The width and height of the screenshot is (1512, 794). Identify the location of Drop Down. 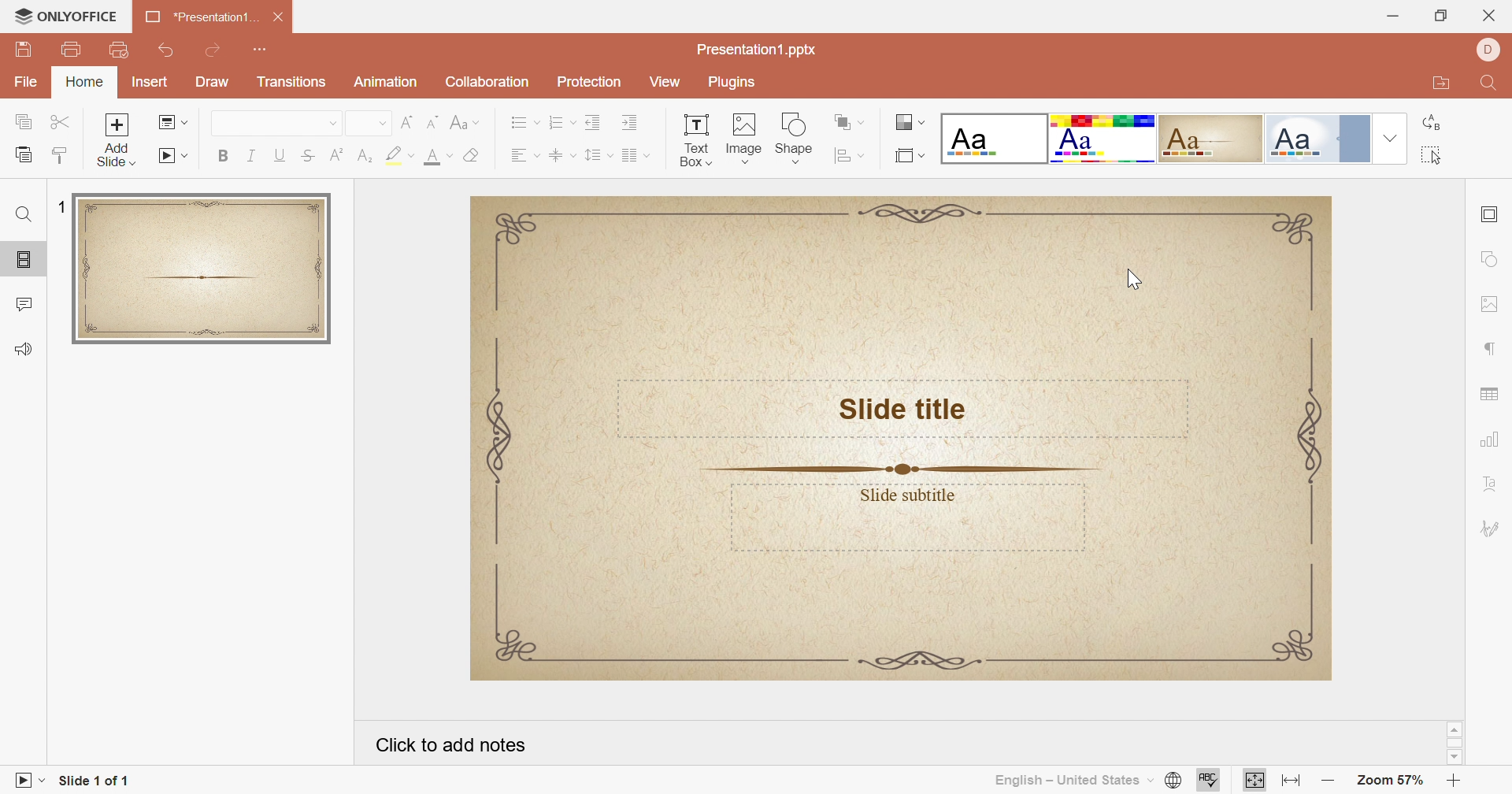
(536, 123).